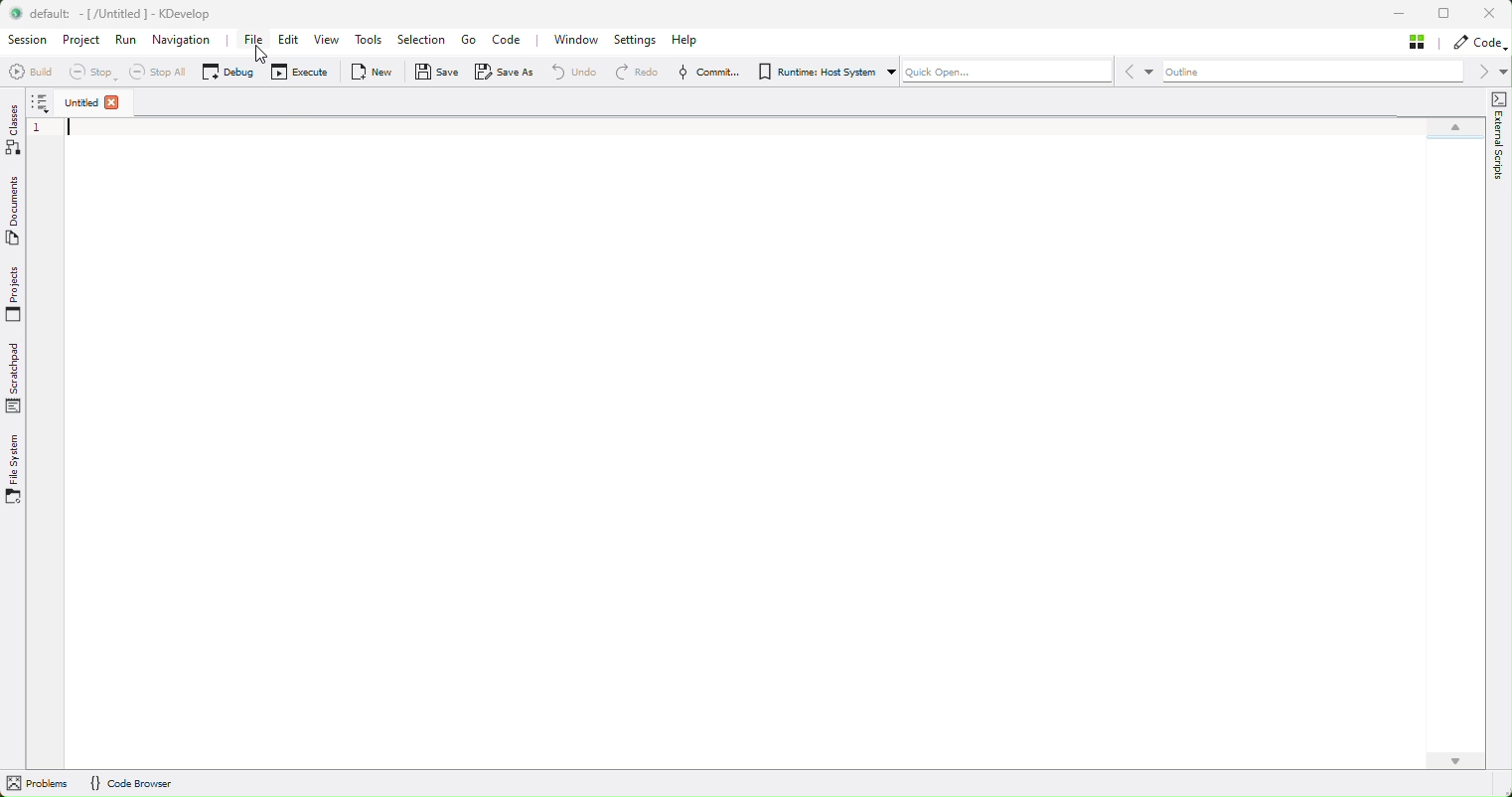  Describe the element at coordinates (632, 72) in the screenshot. I see `Redo` at that location.